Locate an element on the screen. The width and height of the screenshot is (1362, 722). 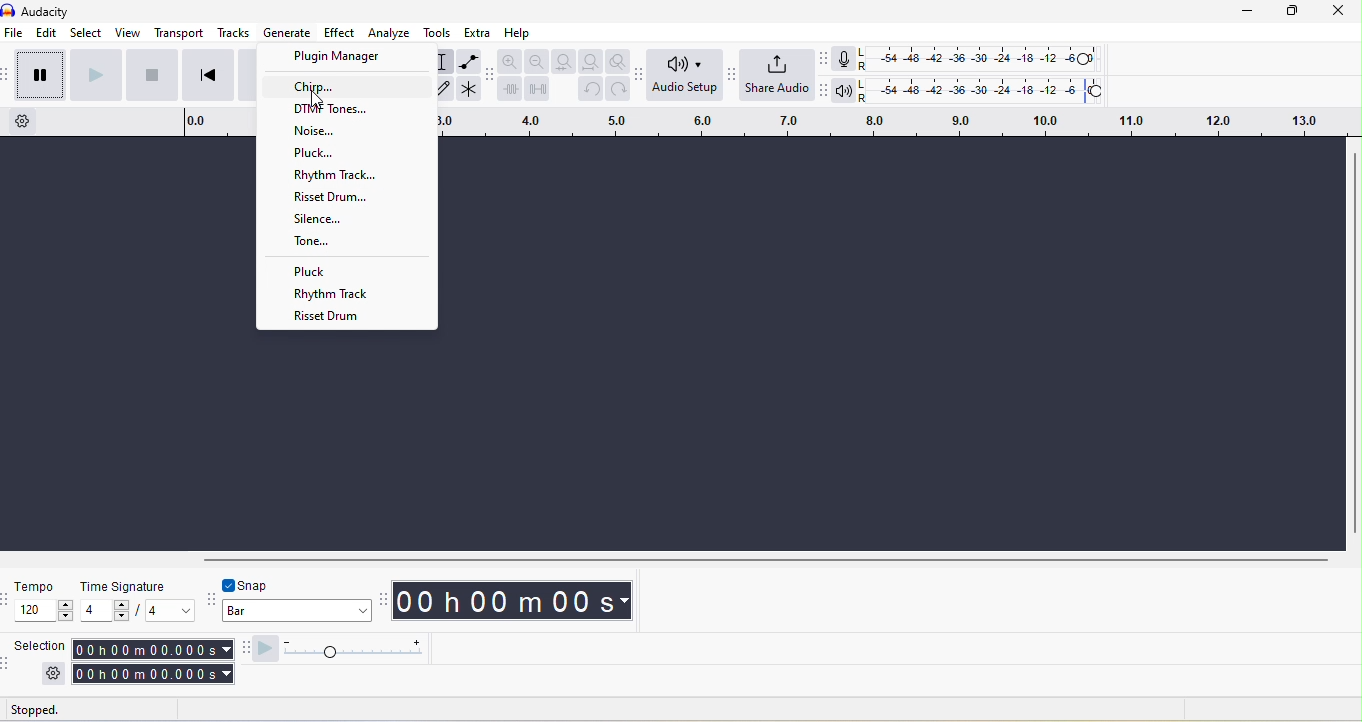
audacity playback meter toolbar is located at coordinates (824, 88).